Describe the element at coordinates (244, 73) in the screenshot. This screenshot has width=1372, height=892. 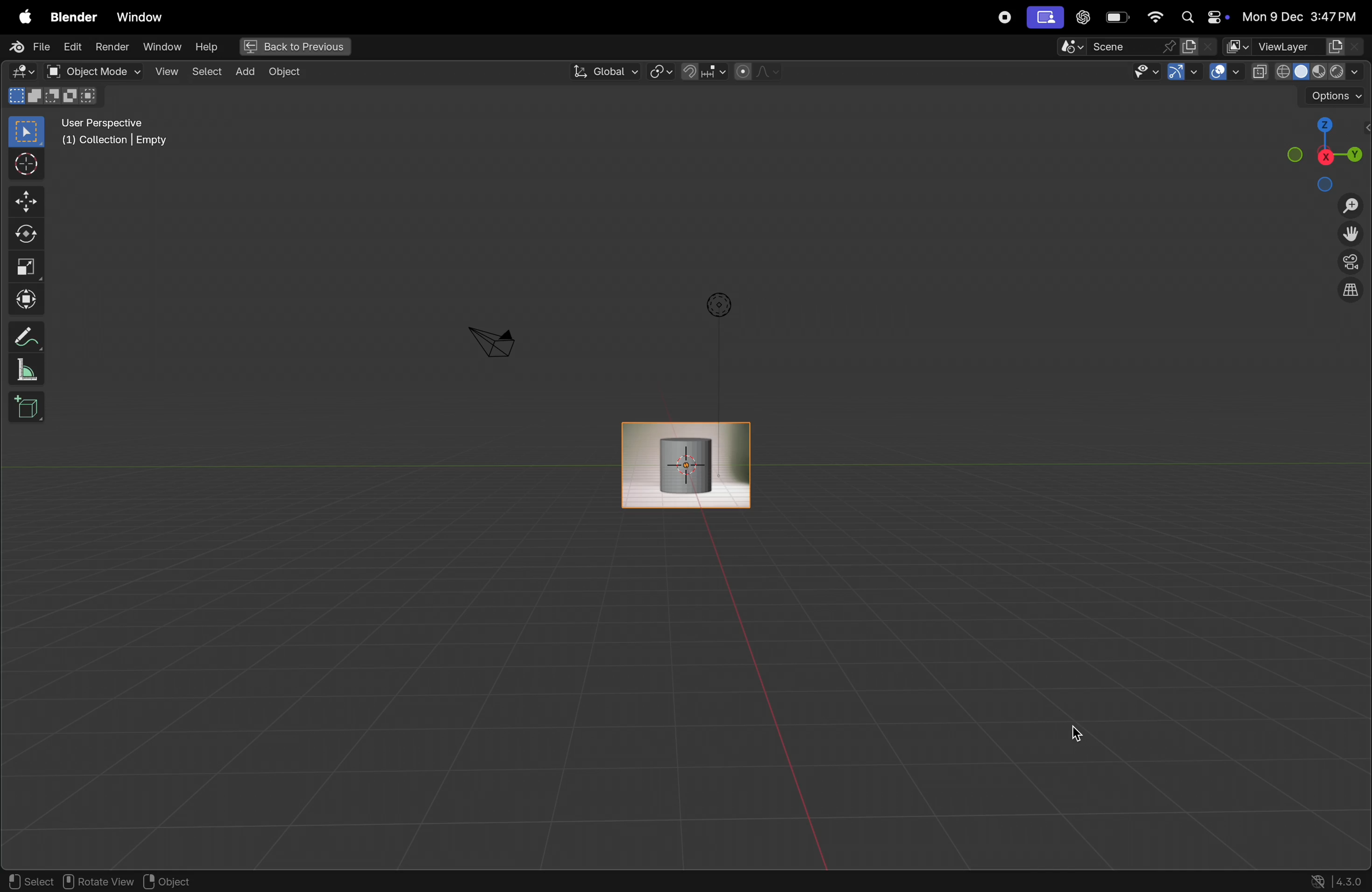
I see `add` at that location.